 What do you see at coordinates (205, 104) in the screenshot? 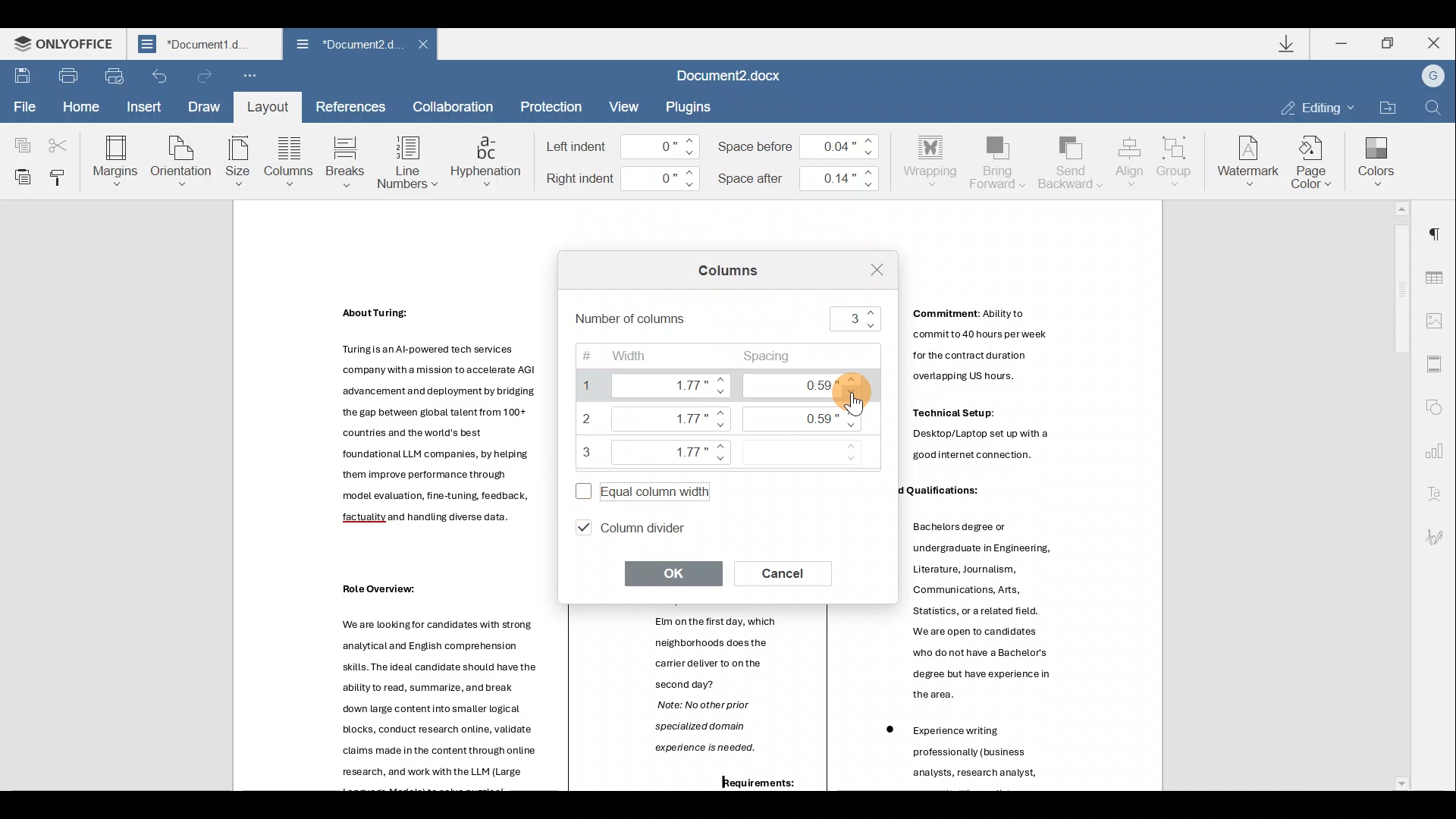
I see `Draw` at bounding box center [205, 104].